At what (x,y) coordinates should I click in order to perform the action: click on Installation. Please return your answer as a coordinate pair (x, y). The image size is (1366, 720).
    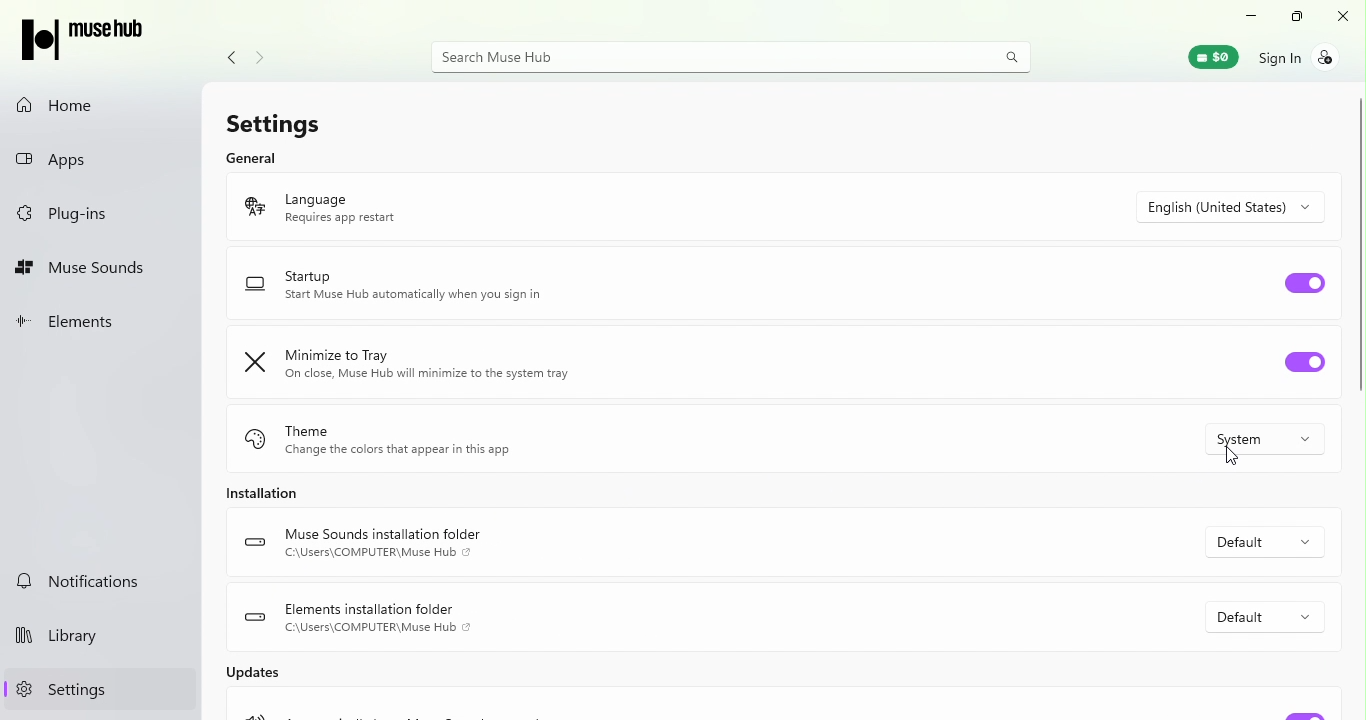
    Looking at the image, I should click on (269, 497).